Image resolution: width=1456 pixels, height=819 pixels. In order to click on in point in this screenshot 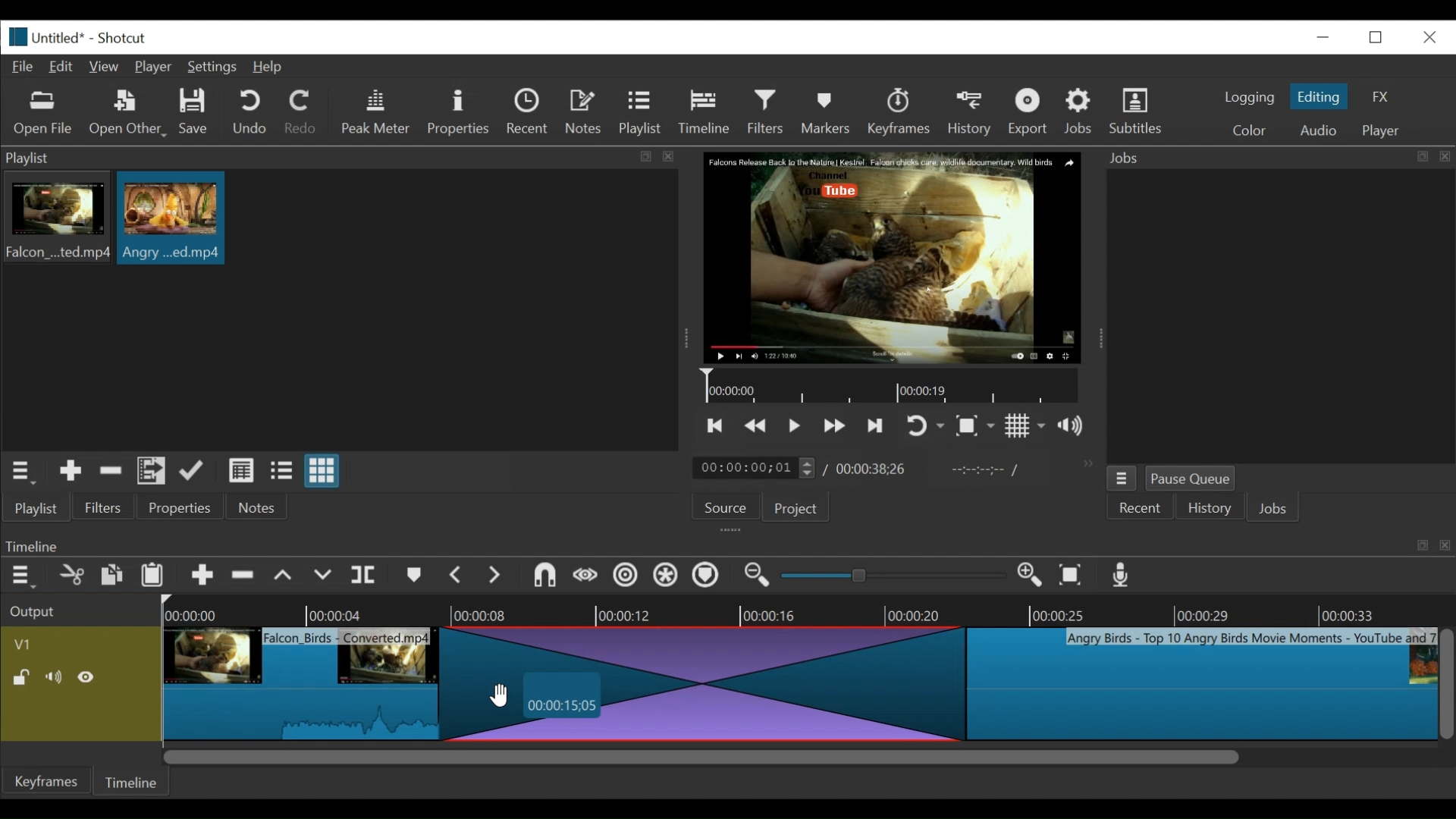, I will do `click(981, 472)`.